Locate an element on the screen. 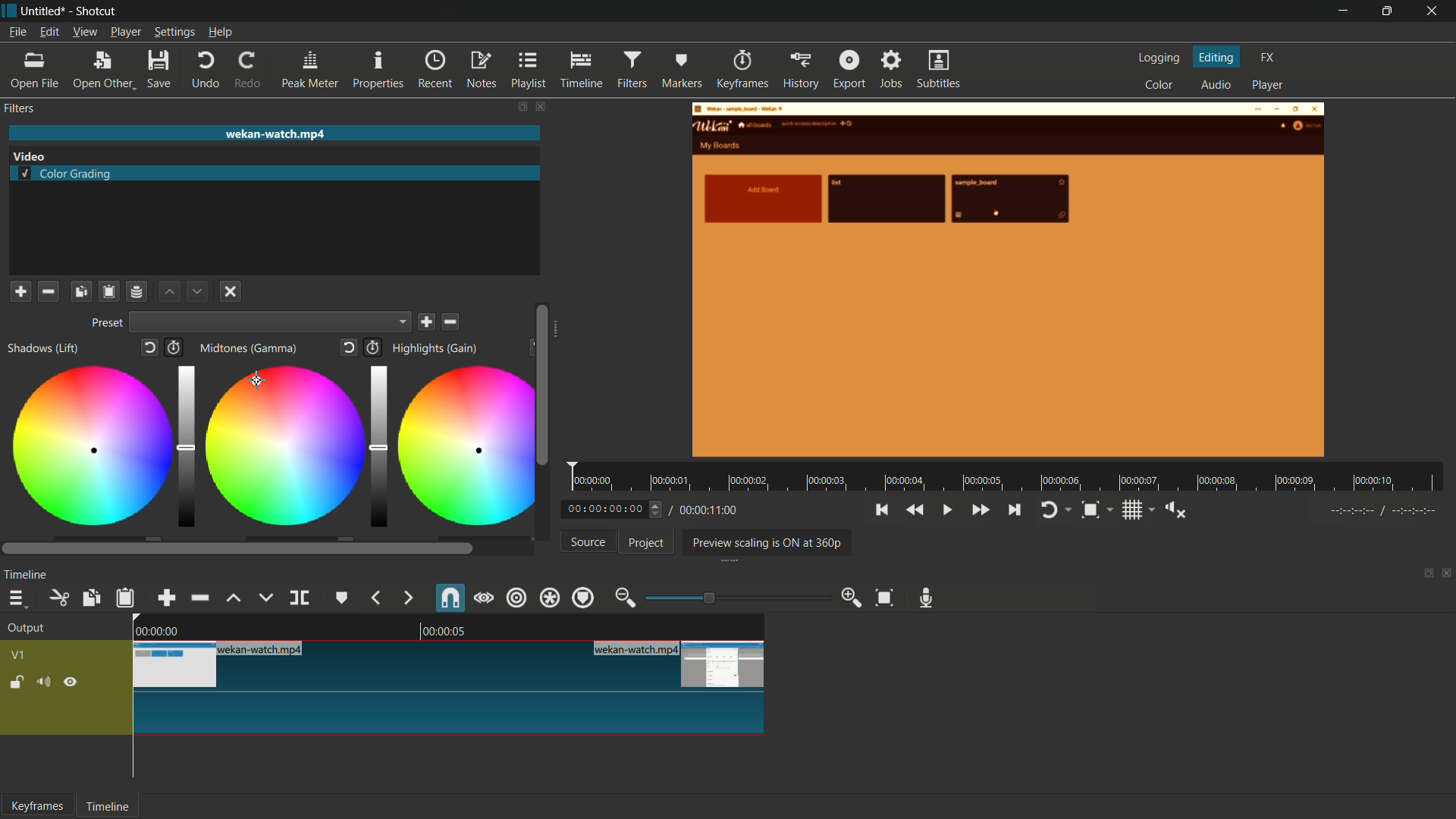 This screenshot has width=1456, height=819. scroll bar is located at coordinates (559, 334).